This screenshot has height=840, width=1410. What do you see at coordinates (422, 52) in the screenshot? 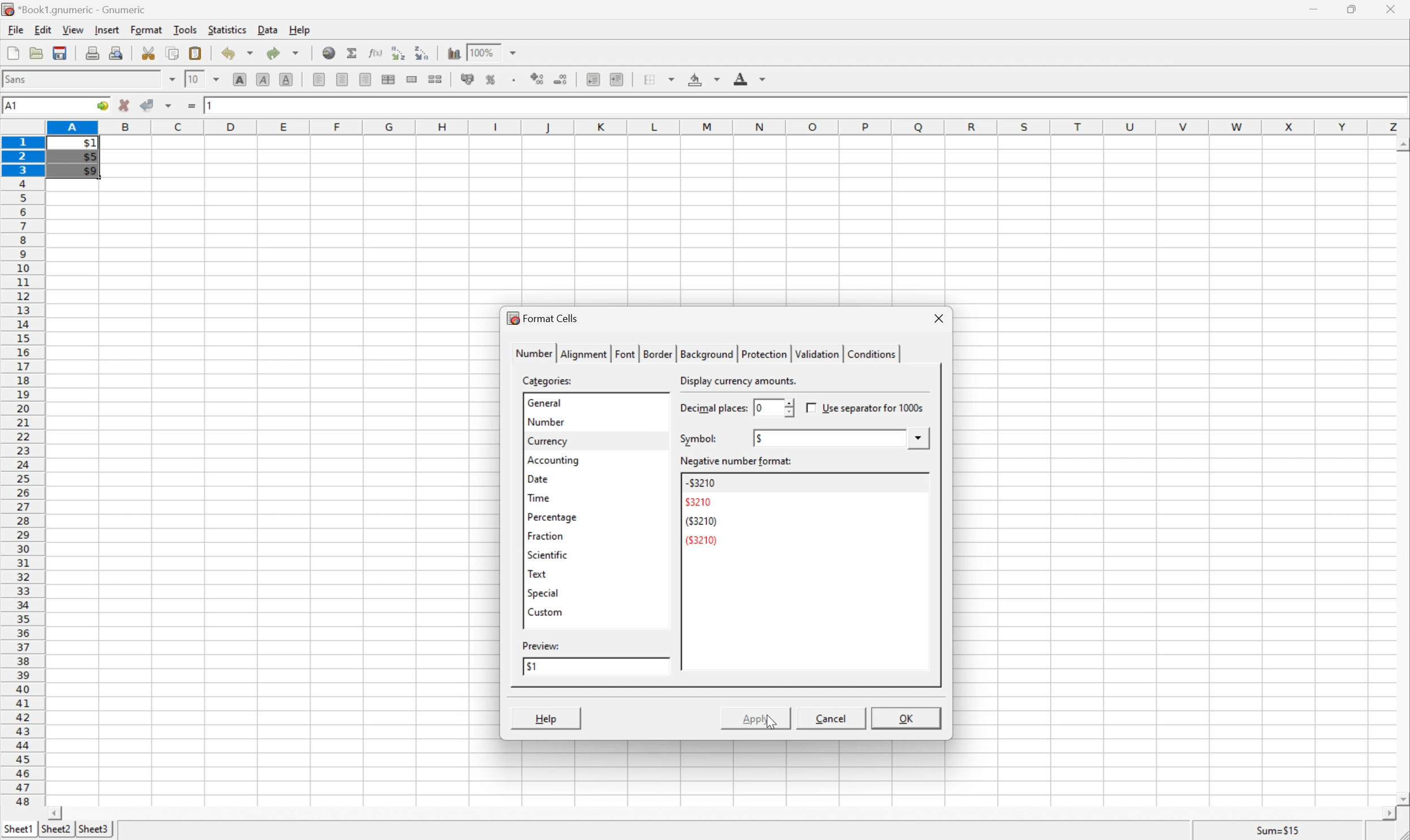
I see `Sort the selected region in descending order based on the first column selected` at bounding box center [422, 52].